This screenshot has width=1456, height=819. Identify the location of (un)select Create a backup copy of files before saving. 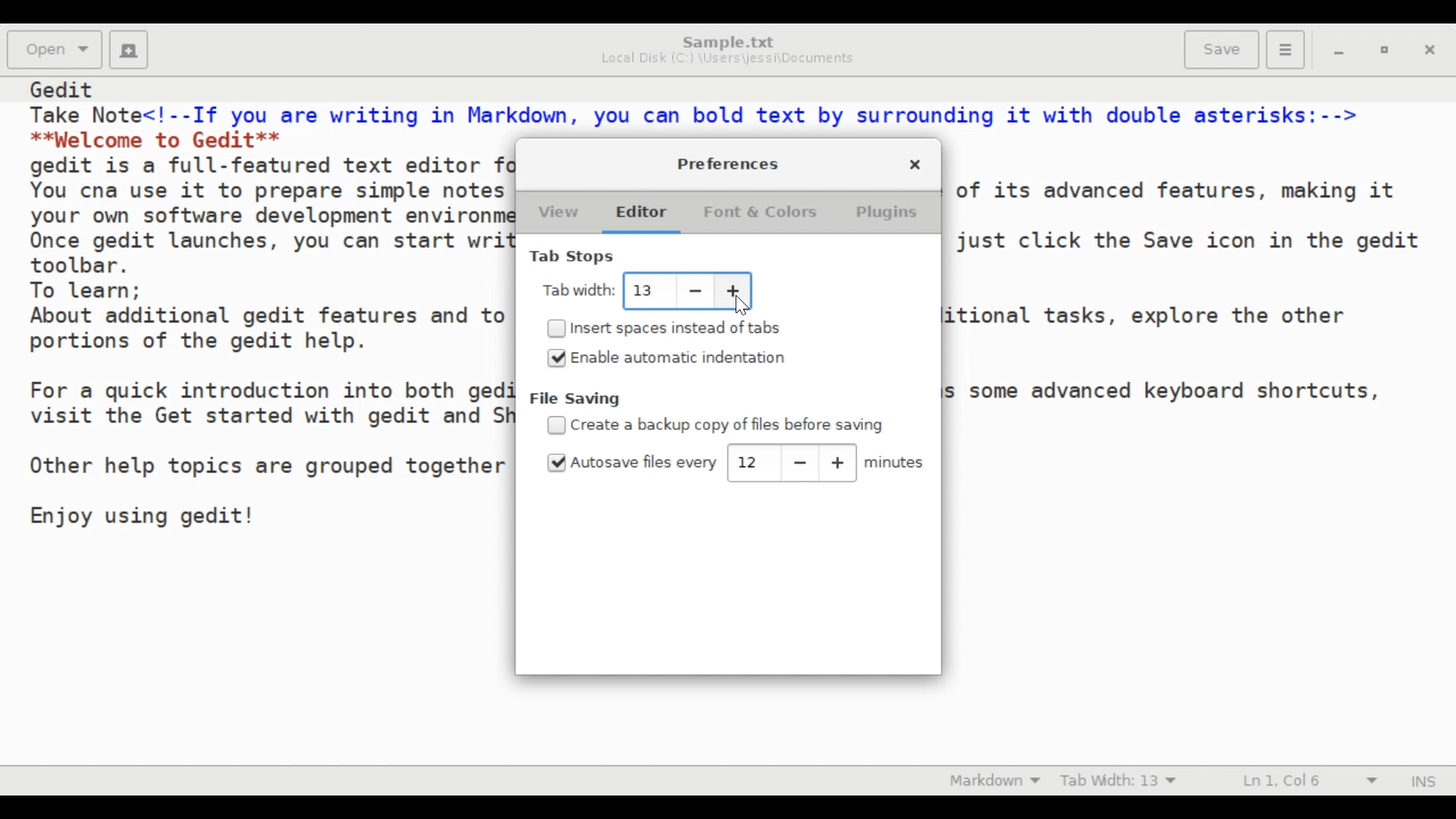
(718, 425).